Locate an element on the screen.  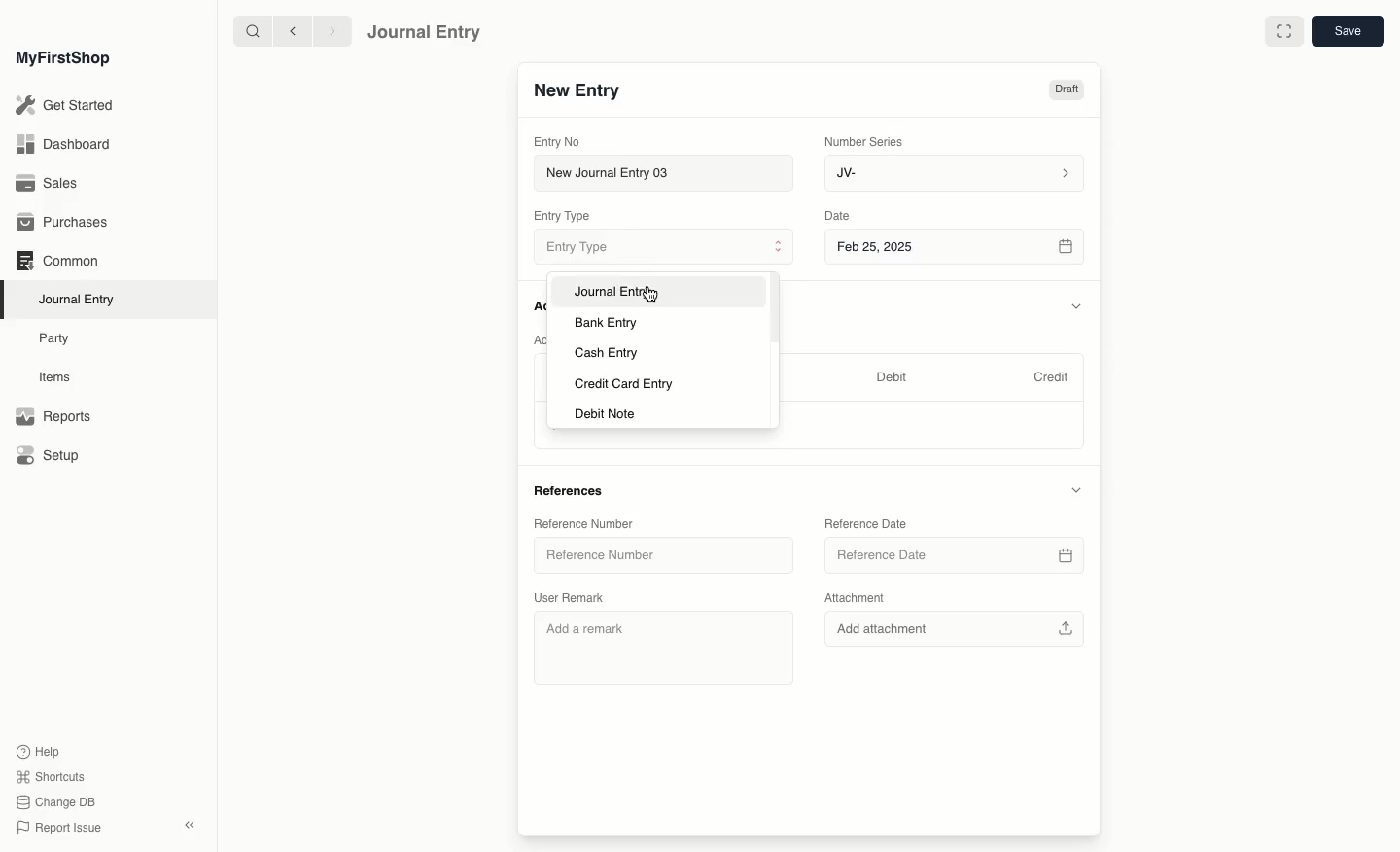
Purchases is located at coordinates (67, 223).